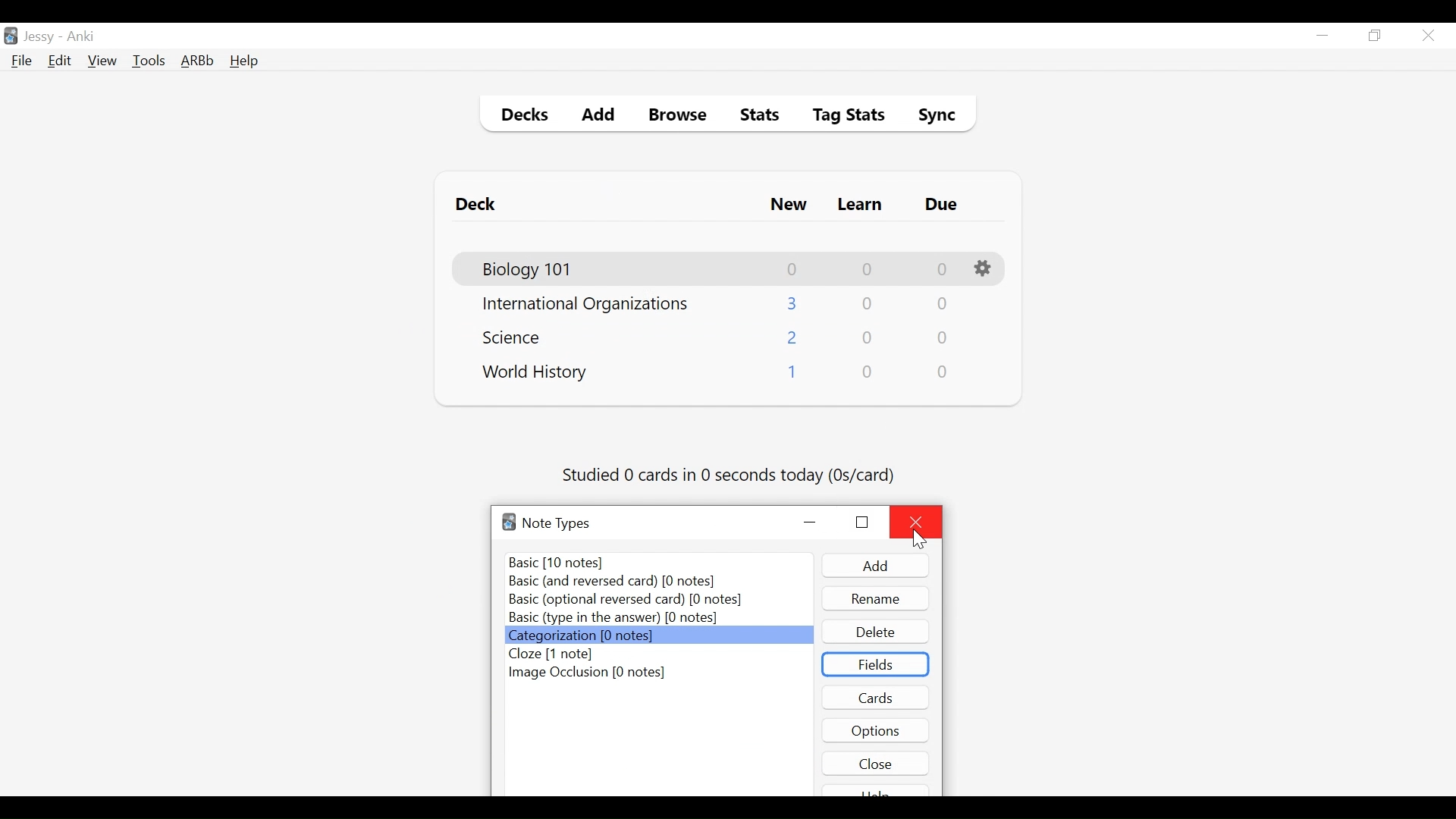 This screenshot has height=819, width=1456. I want to click on Rename, so click(876, 598).